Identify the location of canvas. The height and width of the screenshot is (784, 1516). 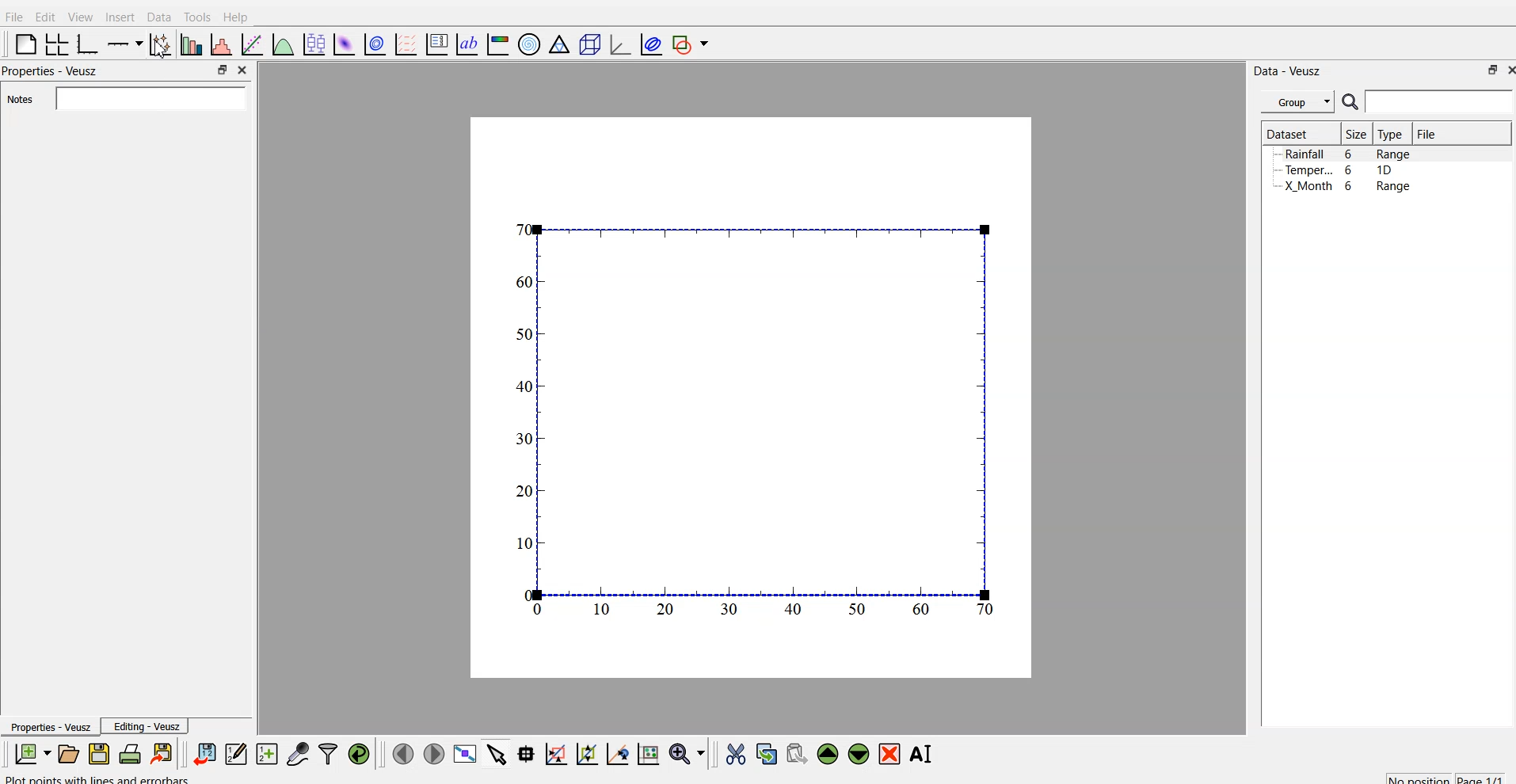
(752, 400).